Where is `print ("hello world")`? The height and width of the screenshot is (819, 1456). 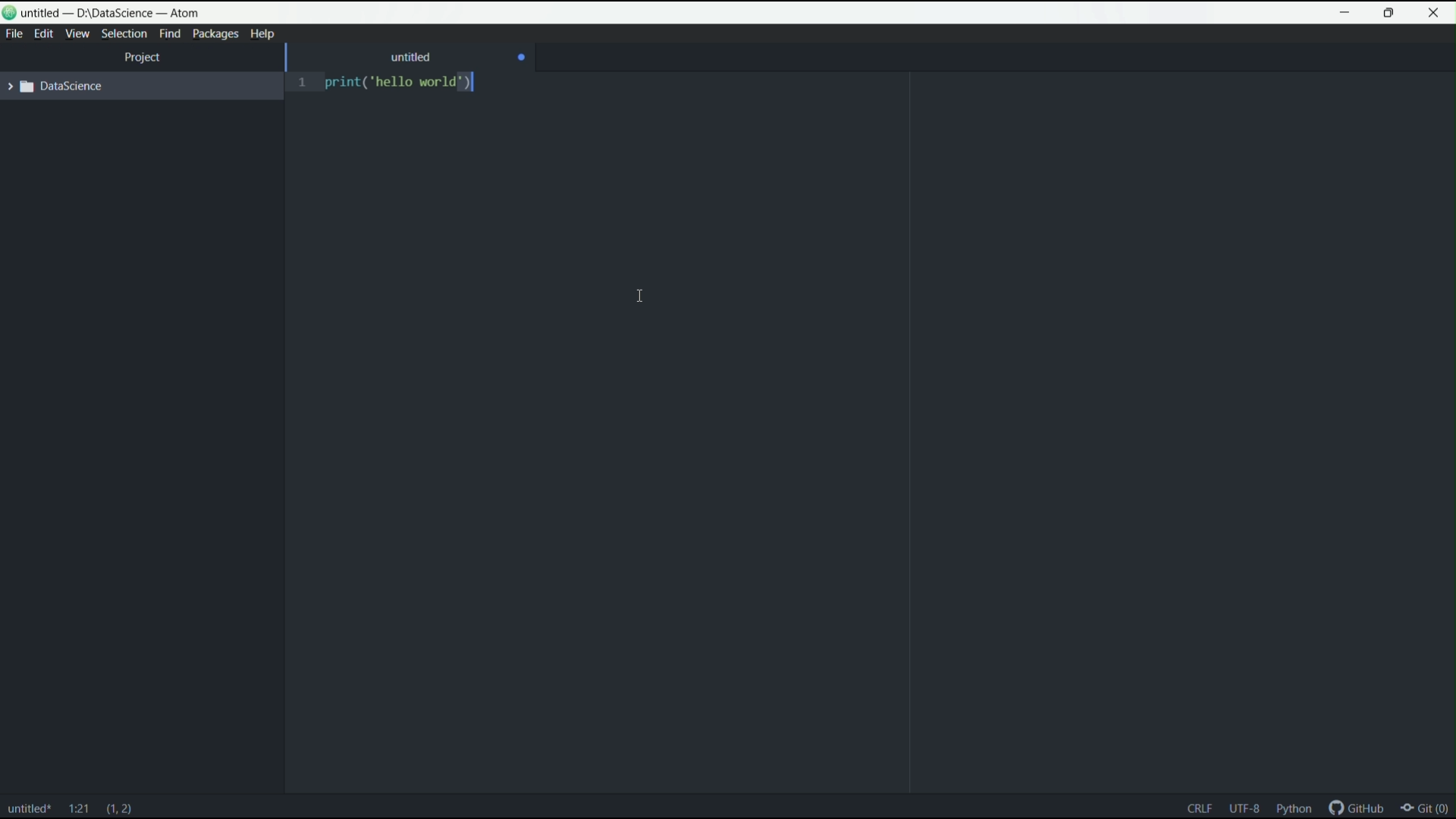 print ("hello world") is located at coordinates (405, 85).